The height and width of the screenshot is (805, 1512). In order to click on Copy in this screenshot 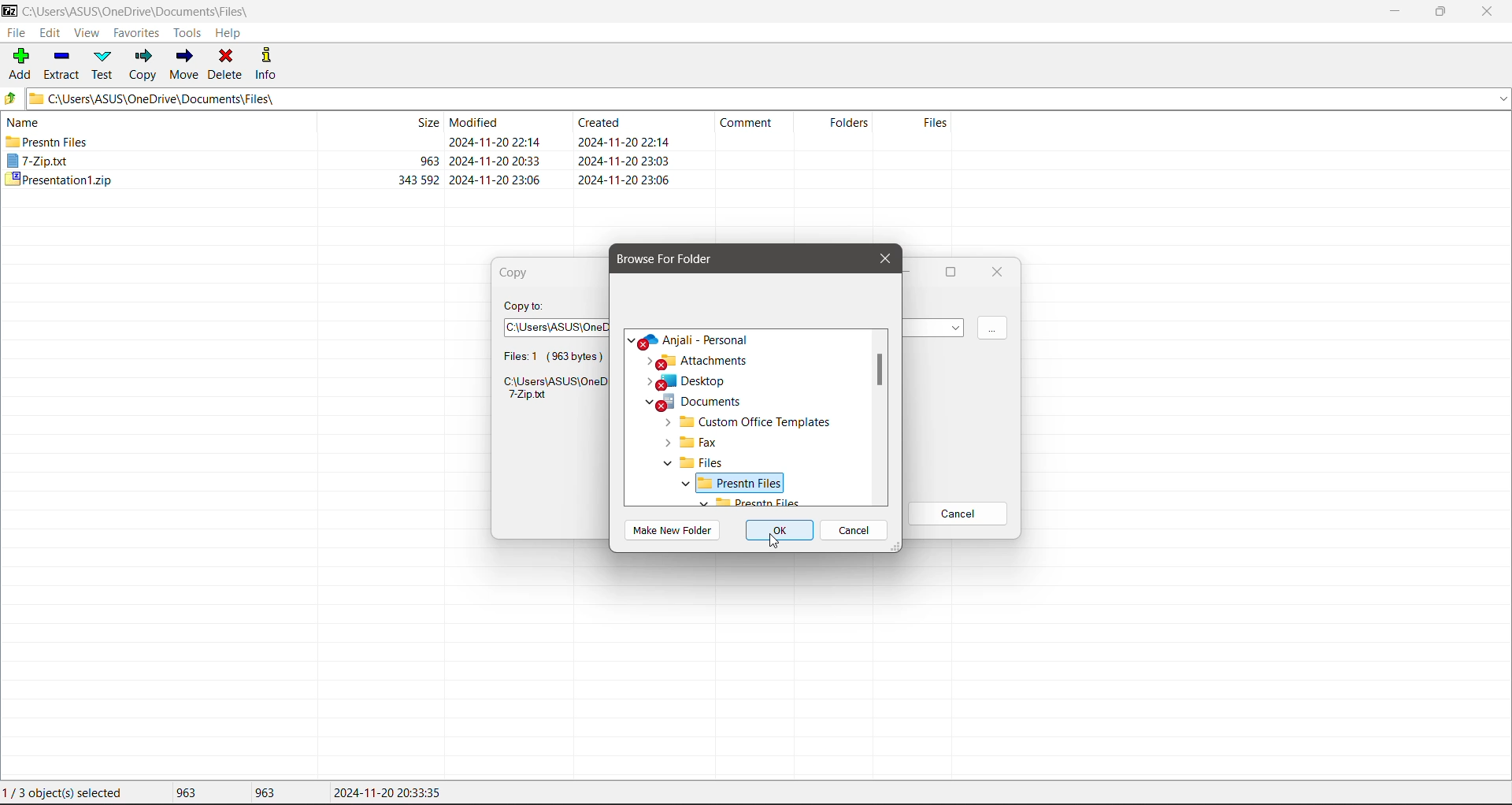, I will do `click(521, 274)`.